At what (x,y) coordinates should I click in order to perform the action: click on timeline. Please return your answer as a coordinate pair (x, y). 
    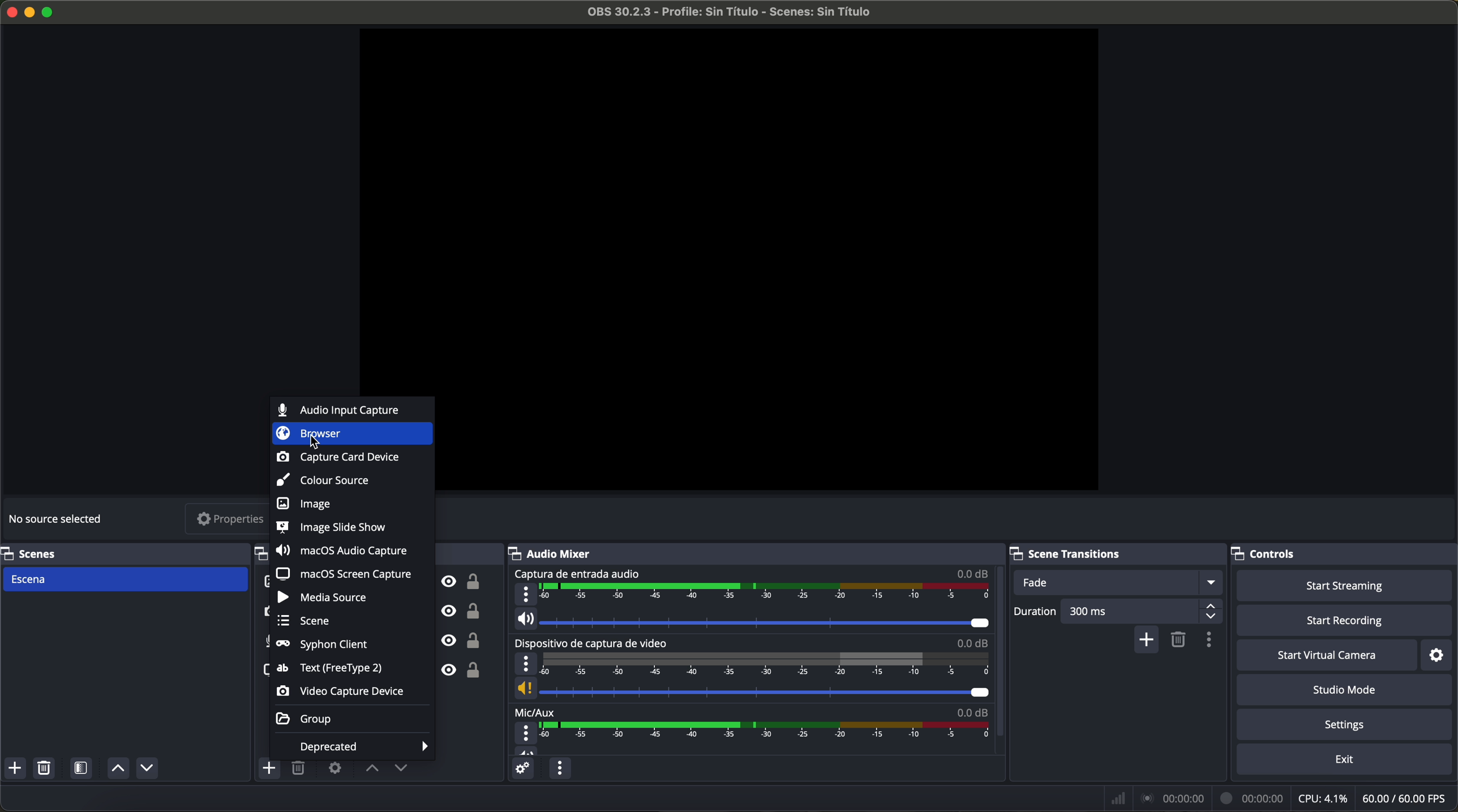
    Looking at the image, I should click on (767, 595).